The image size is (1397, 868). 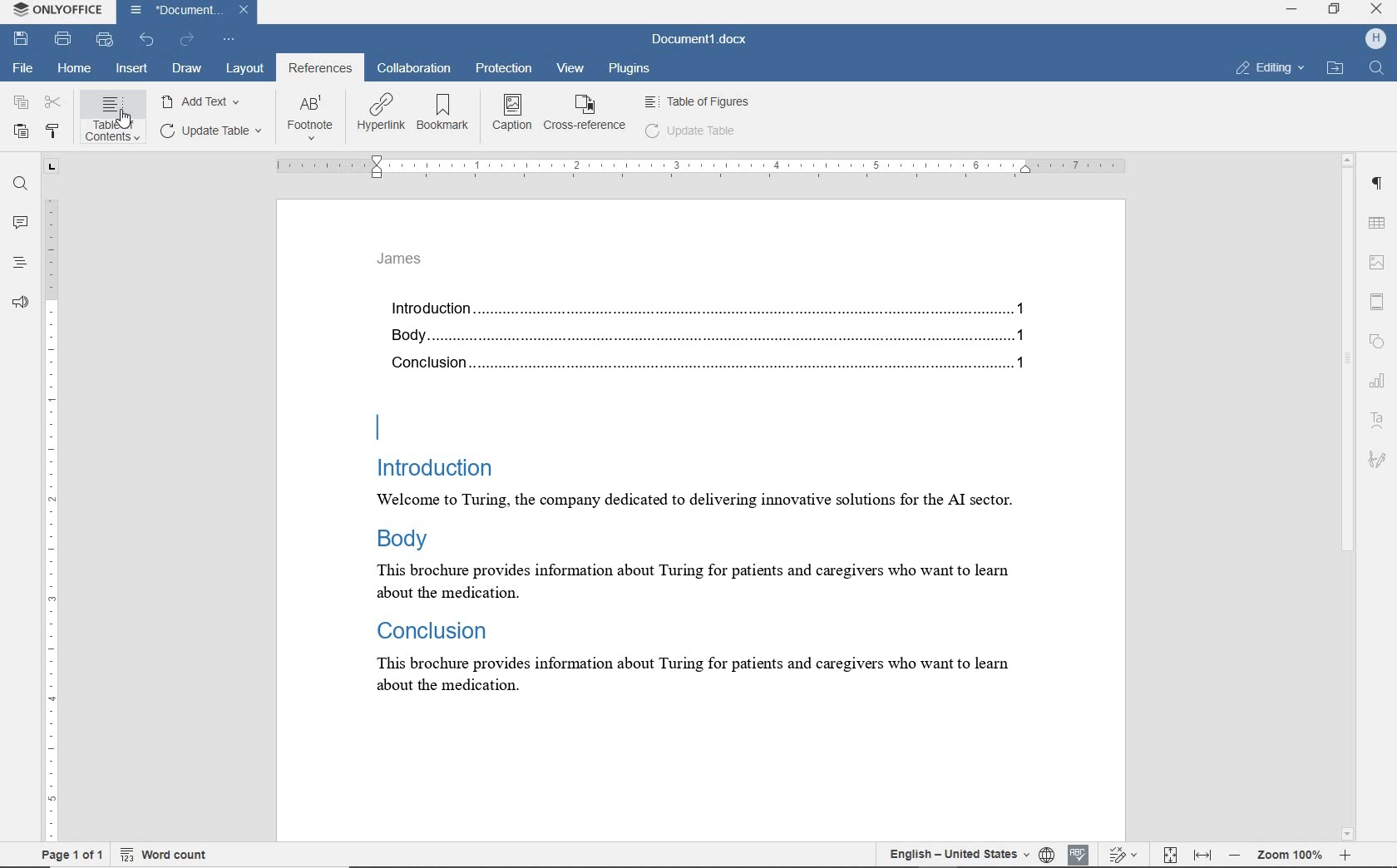 What do you see at coordinates (74, 70) in the screenshot?
I see `home` at bounding box center [74, 70].